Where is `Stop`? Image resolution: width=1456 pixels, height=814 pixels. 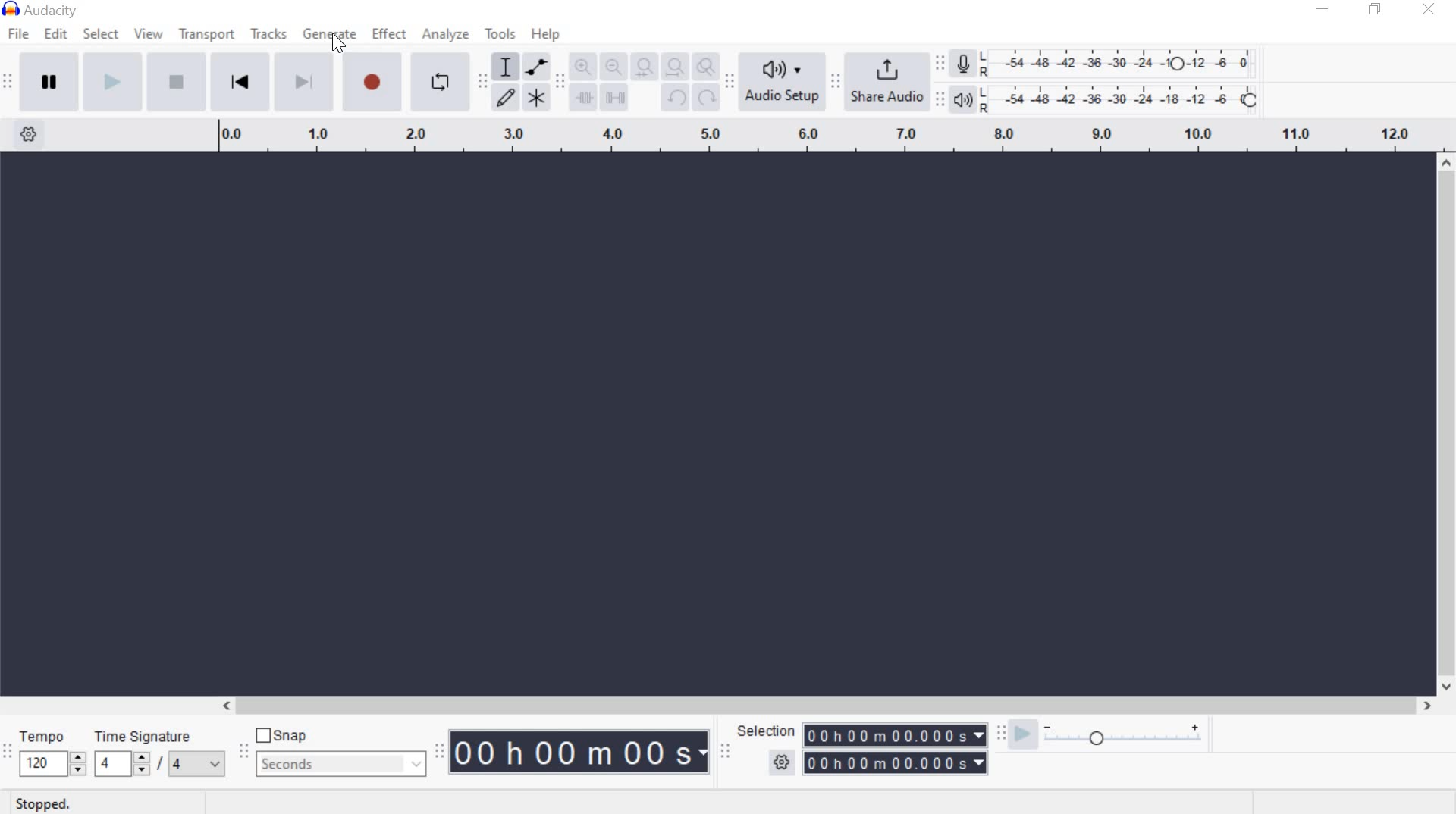 Stop is located at coordinates (173, 81).